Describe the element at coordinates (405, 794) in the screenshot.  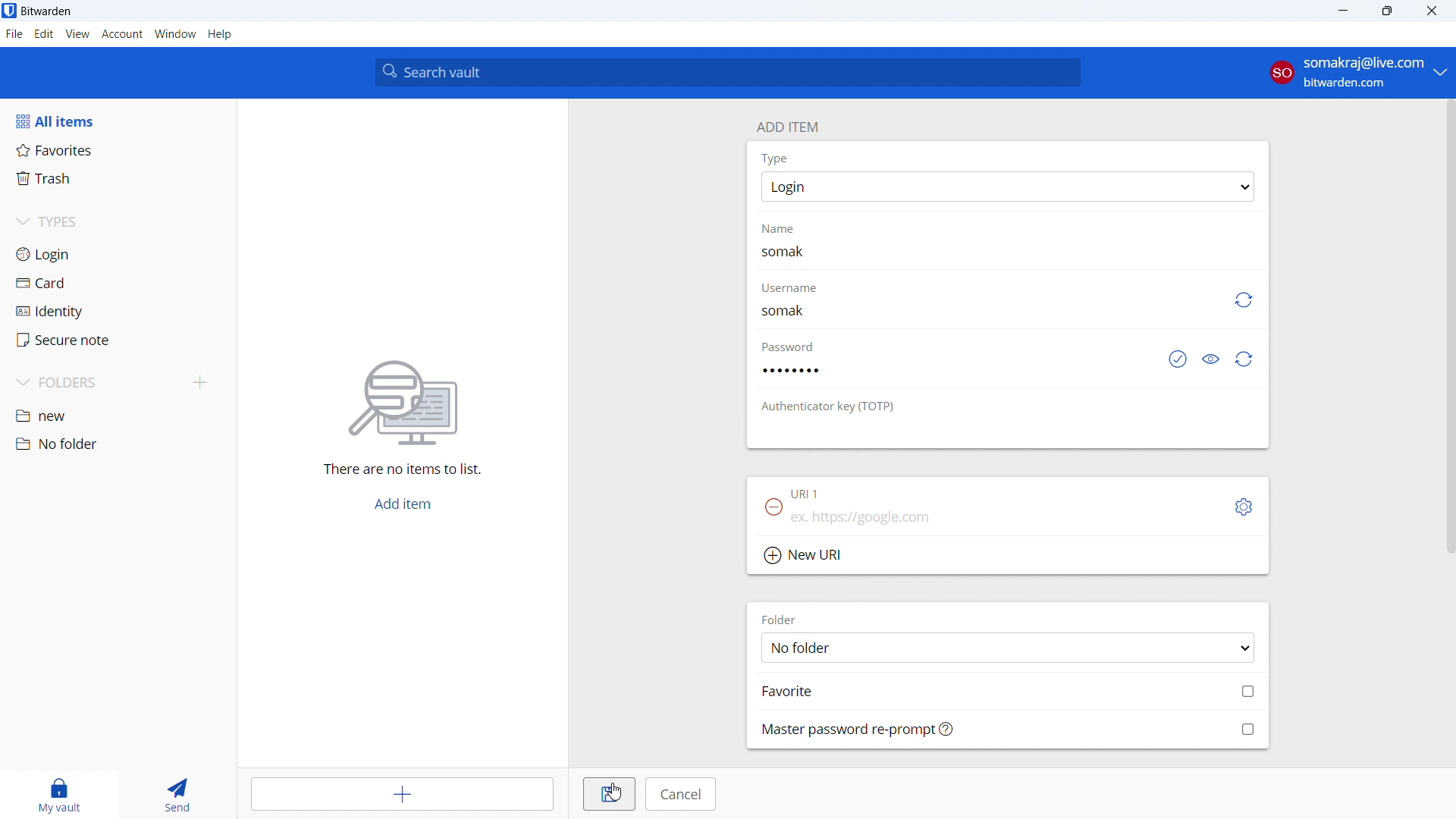
I see `add item` at that location.